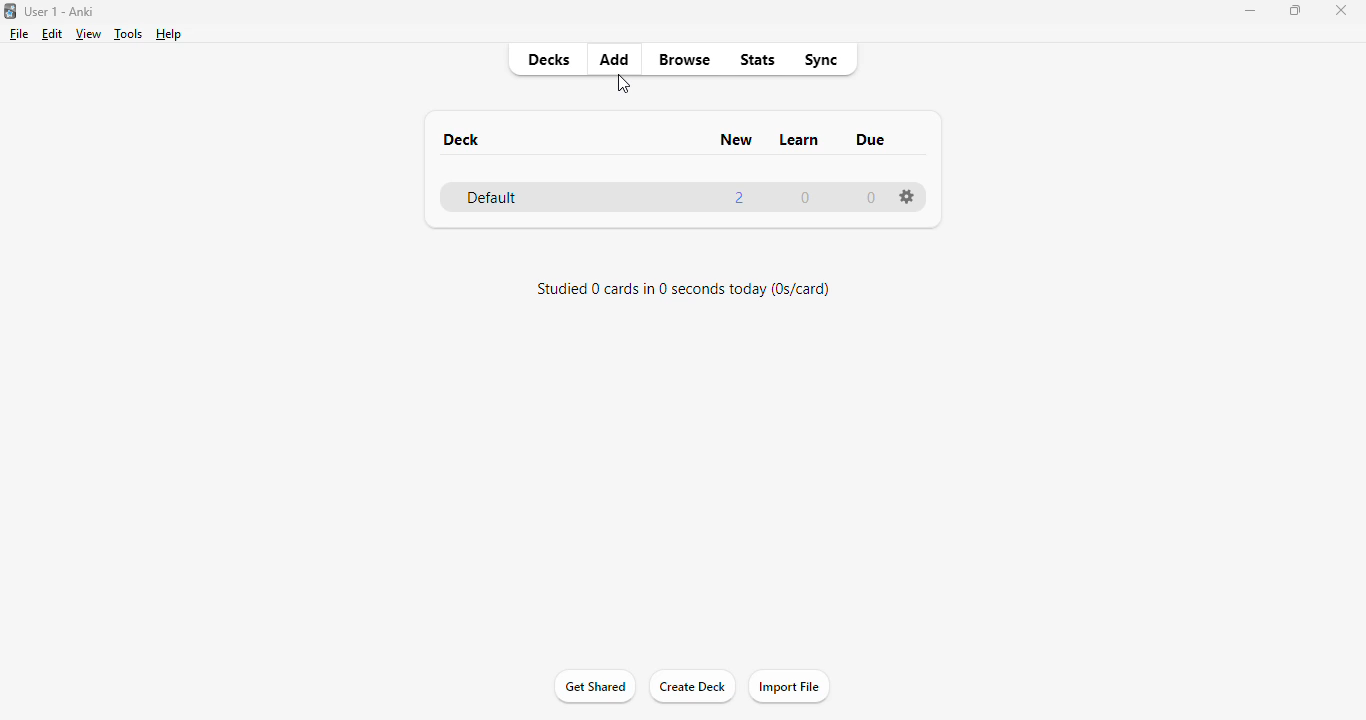 This screenshot has height=720, width=1366. I want to click on logo, so click(9, 11).